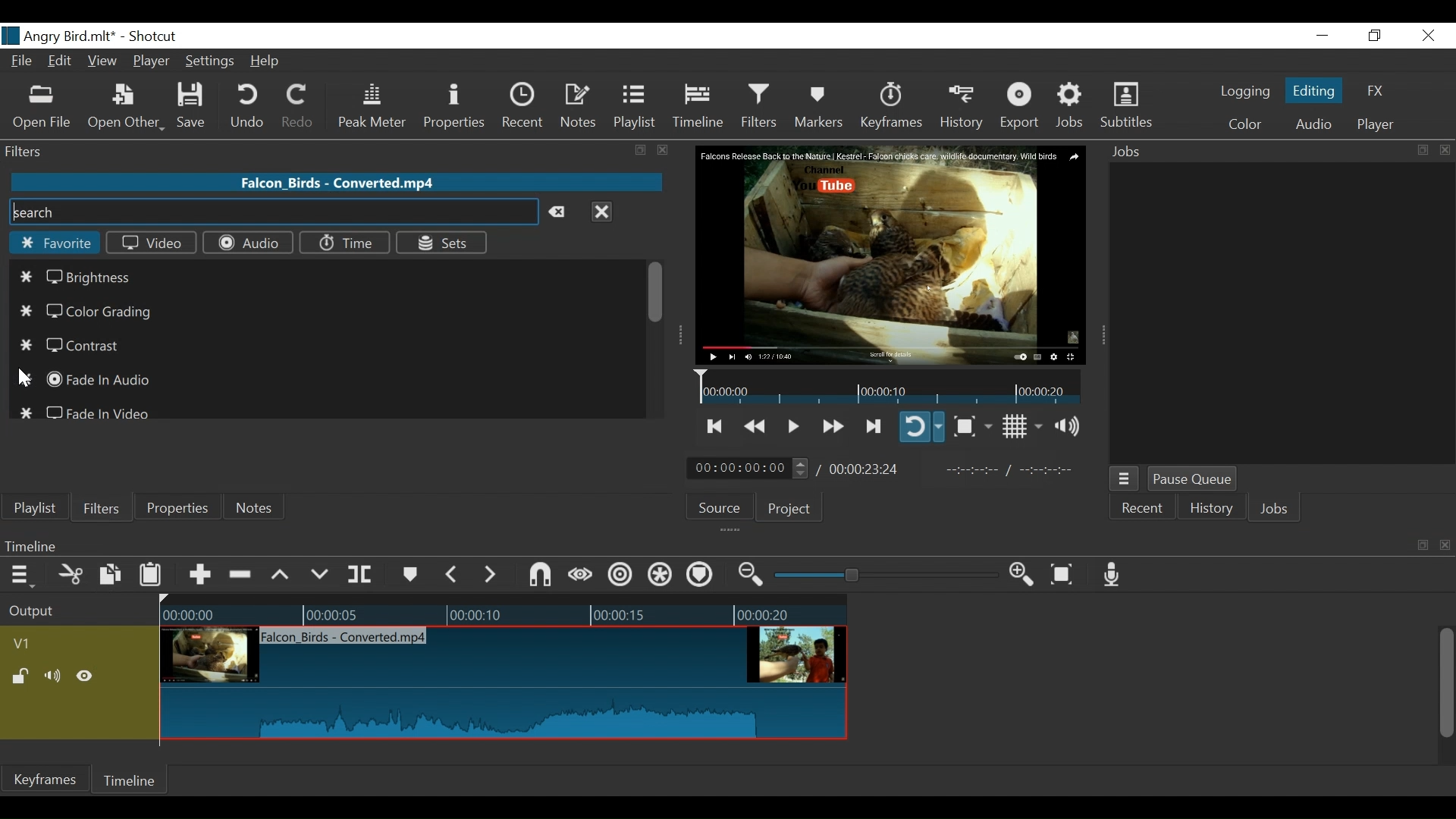  What do you see at coordinates (45, 779) in the screenshot?
I see `Keyframes` at bounding box center [45, 779].